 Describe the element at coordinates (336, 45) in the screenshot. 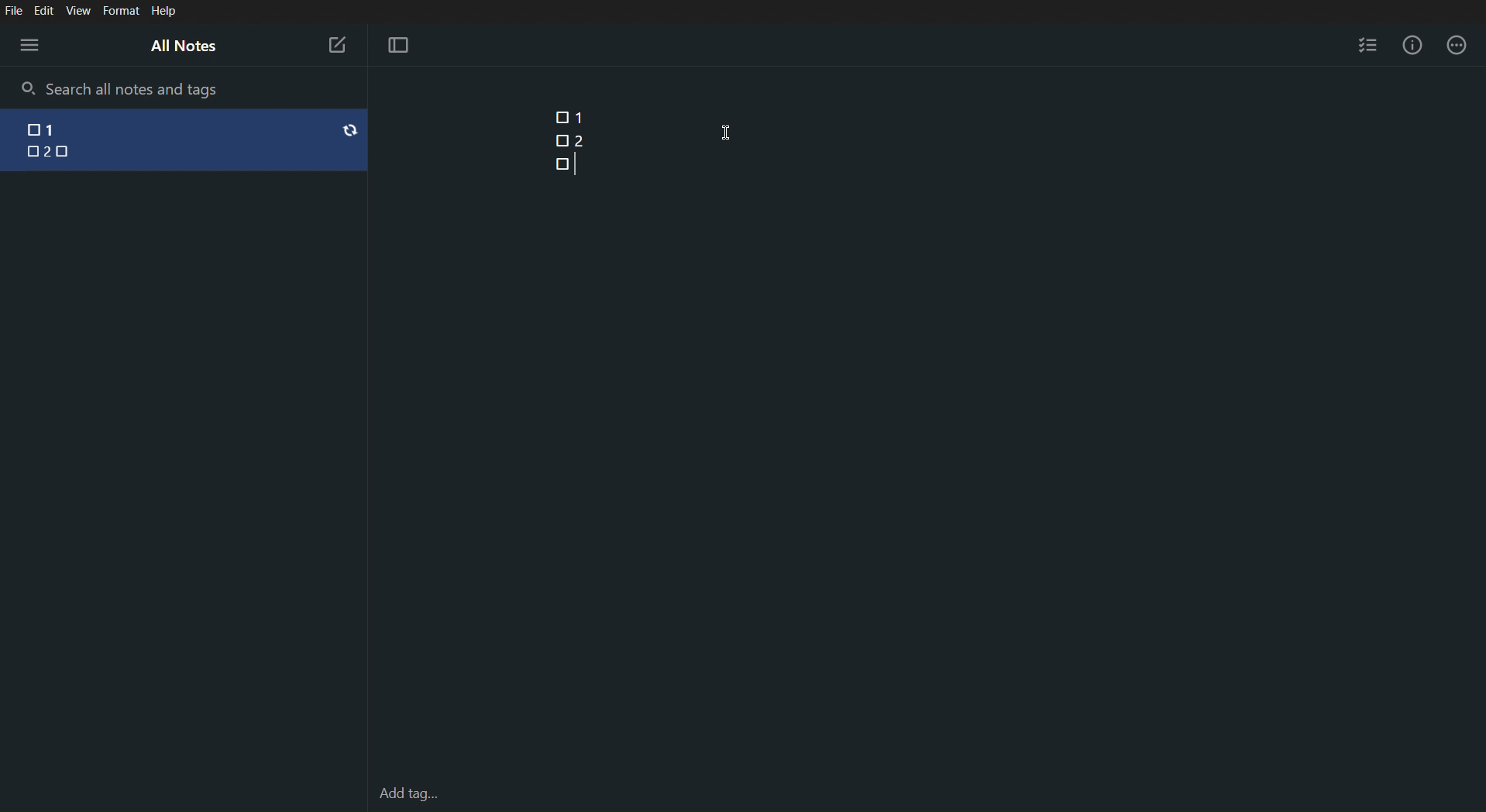

I see `New Note` at that location.